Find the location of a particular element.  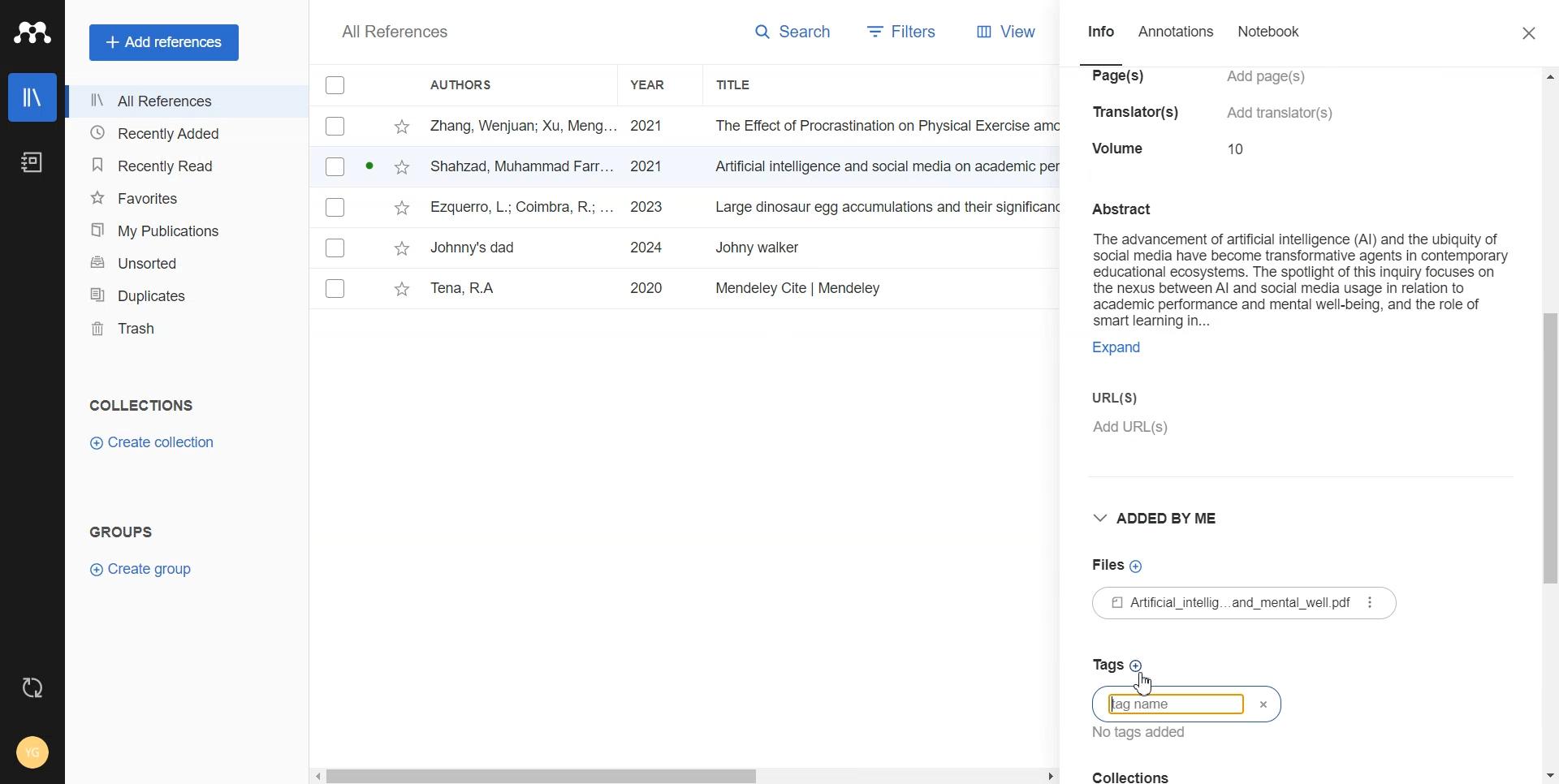

All References is located at coordinates (396, 32).